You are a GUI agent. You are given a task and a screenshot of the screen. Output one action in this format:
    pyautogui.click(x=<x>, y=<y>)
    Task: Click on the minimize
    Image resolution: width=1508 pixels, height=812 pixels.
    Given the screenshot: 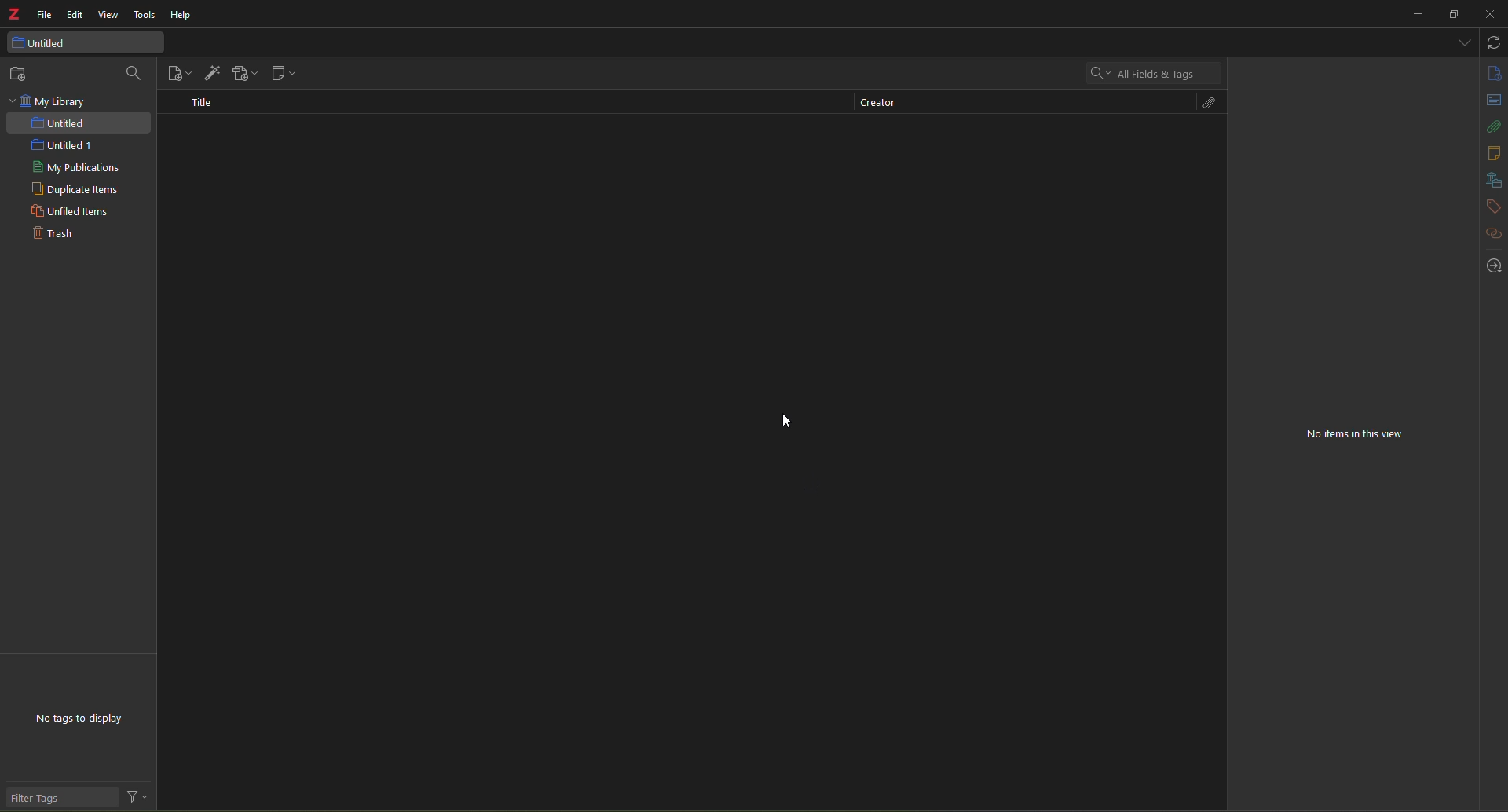 What is the action you would take?
    pyautogui.click(x=1414, y=14)
    